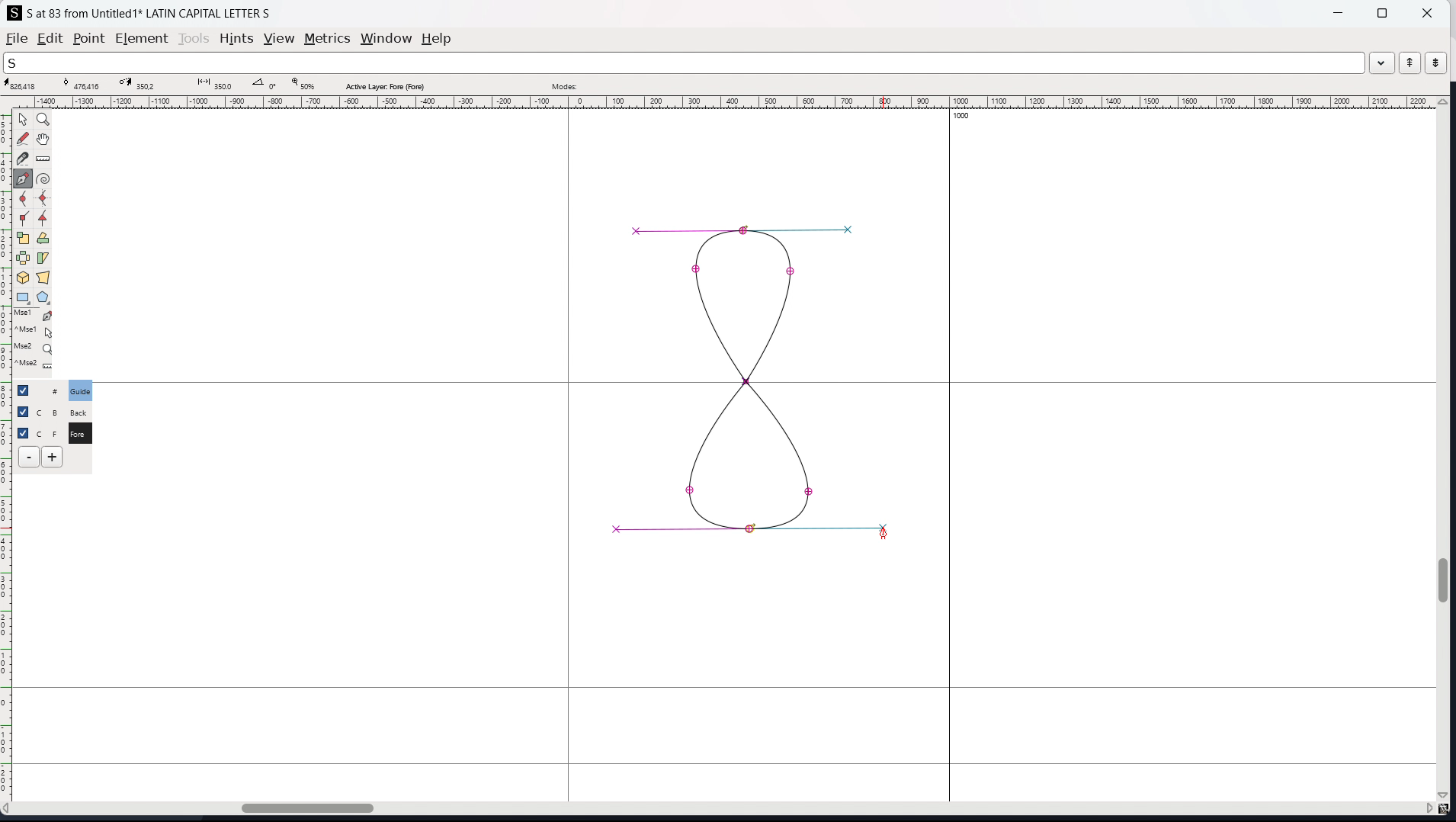 This screenshot has width=1456, height=822. Describe the element at coordinates (303, 85) in the screenshot. I see `zoom level` at that location.